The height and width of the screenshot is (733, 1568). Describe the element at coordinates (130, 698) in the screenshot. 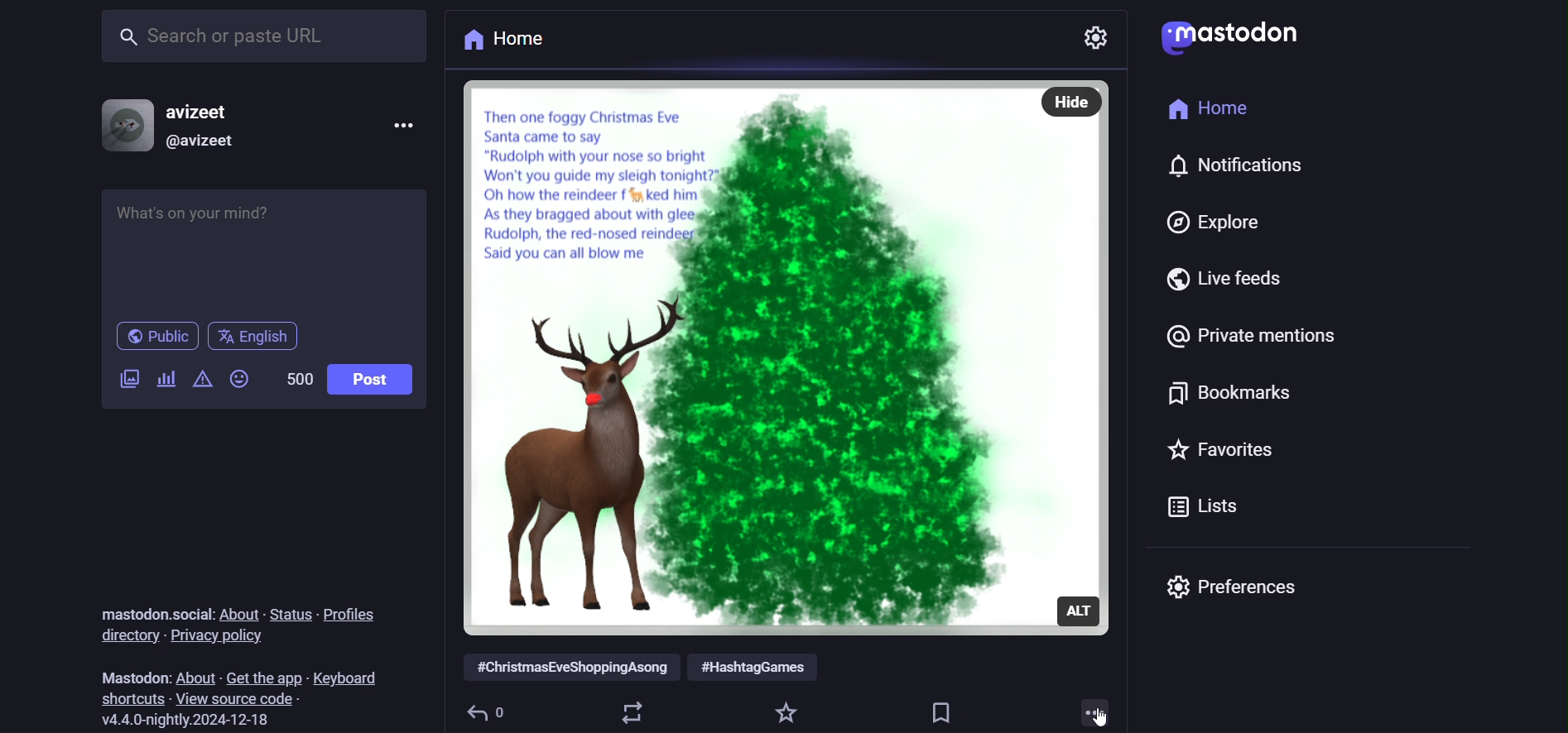

I see `shortcut` at that location.